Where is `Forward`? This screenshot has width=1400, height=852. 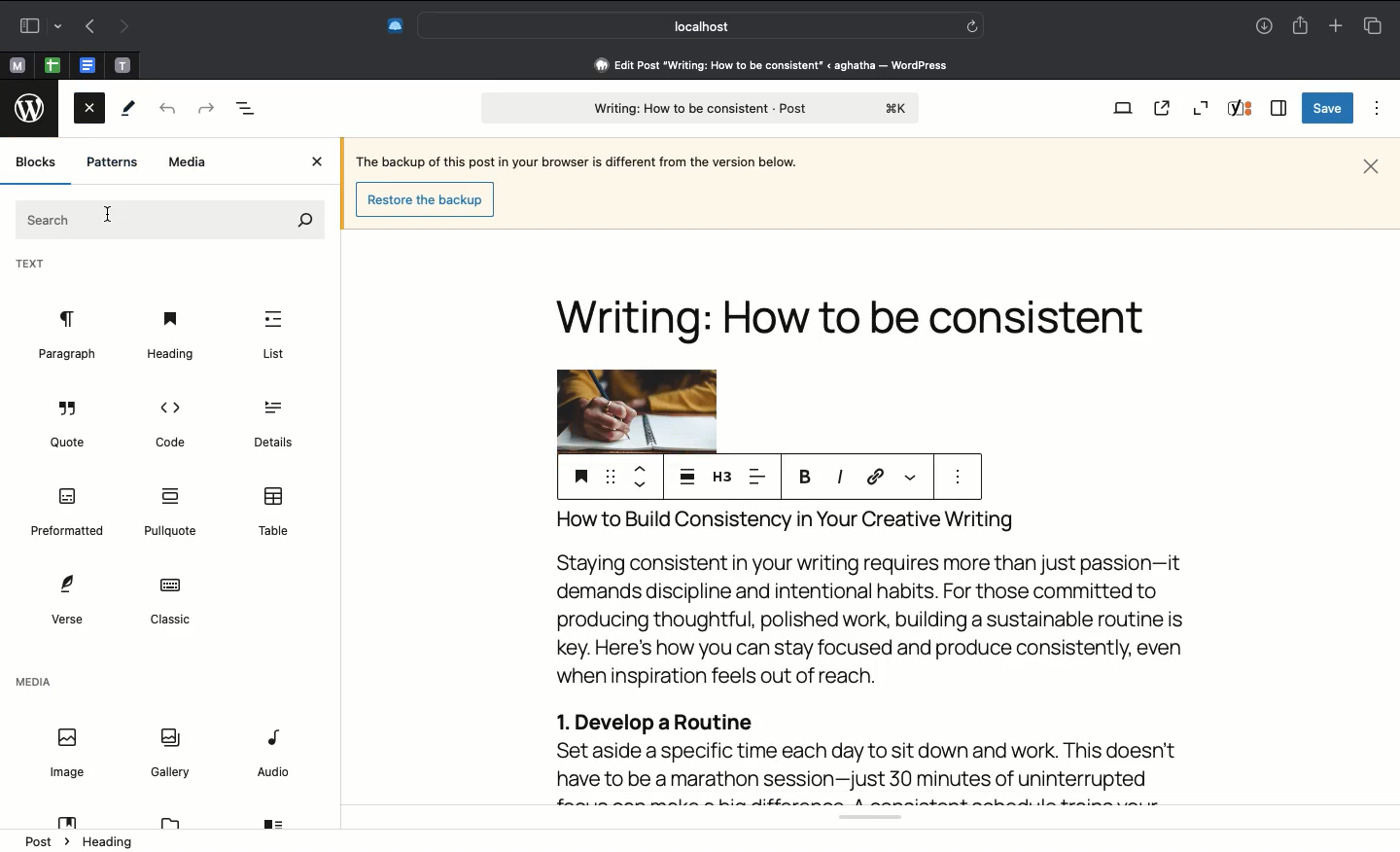
Forward is located at coordinates (205, 109).